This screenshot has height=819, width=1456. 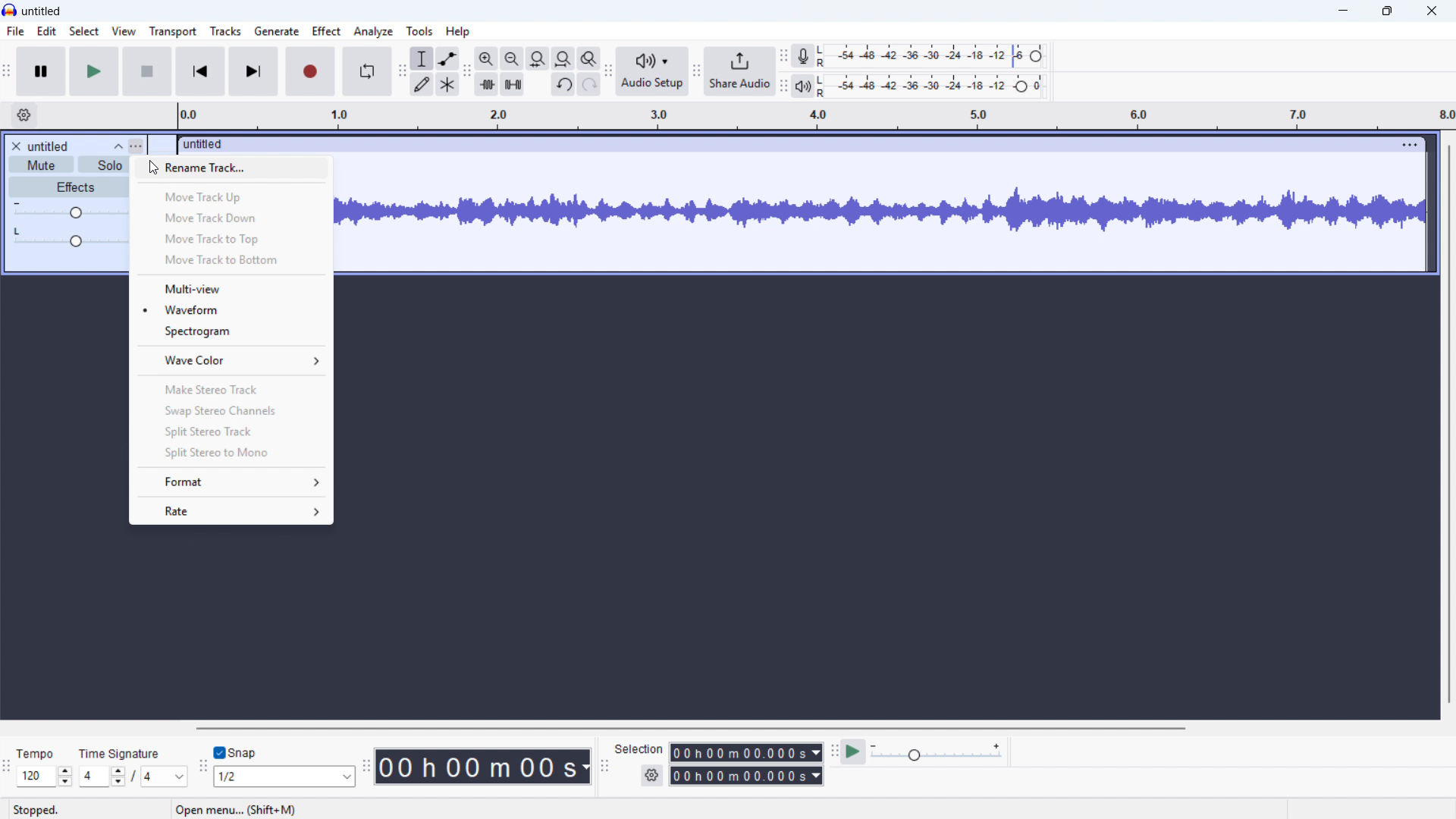 I want to click on Gain , so click(x=69, y=209).